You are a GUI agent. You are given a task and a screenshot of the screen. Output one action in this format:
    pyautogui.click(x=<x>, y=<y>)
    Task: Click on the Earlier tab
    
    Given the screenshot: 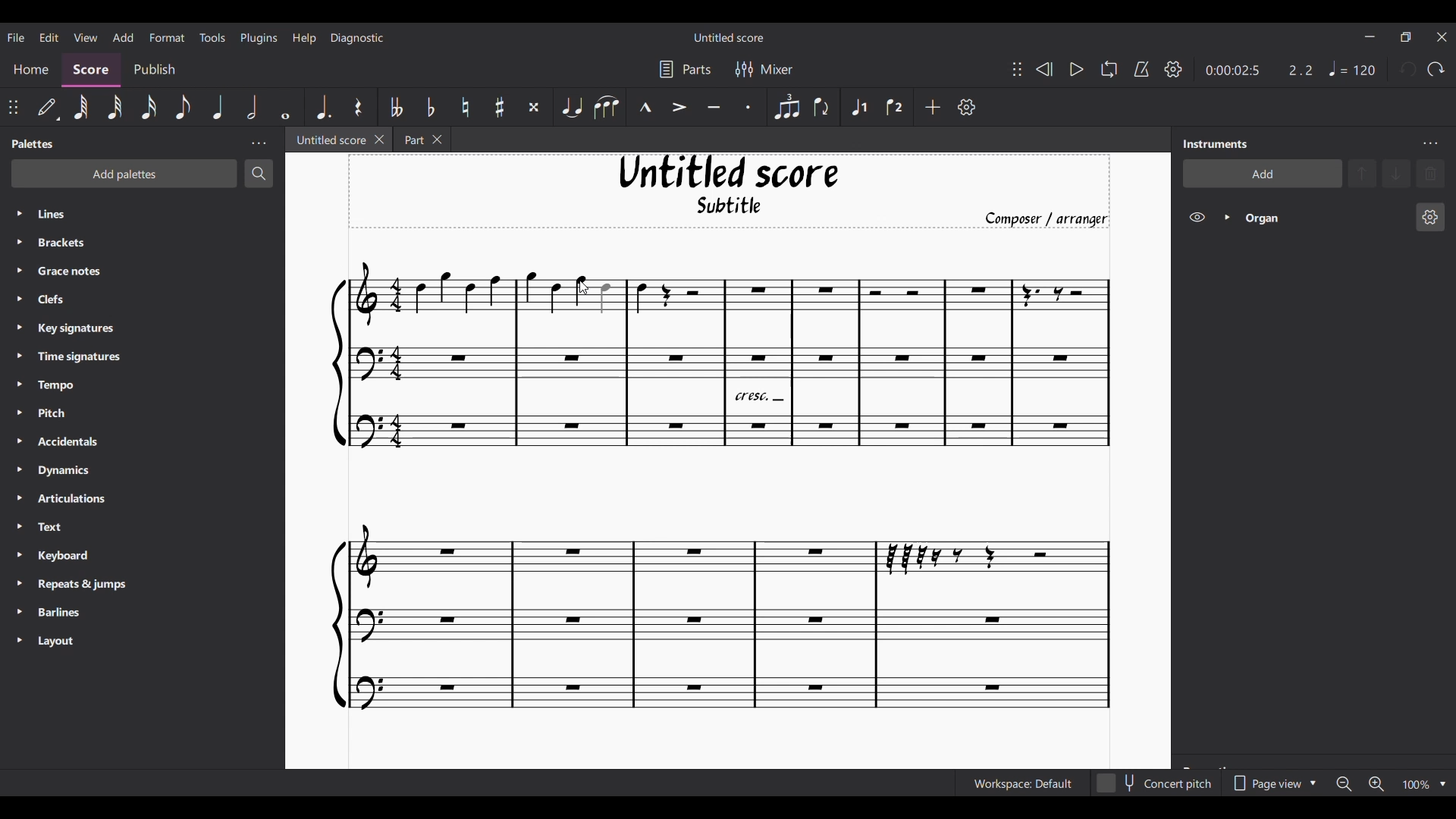 What is the action you would take?
    pyautogui.click(x=421, y=139)
    